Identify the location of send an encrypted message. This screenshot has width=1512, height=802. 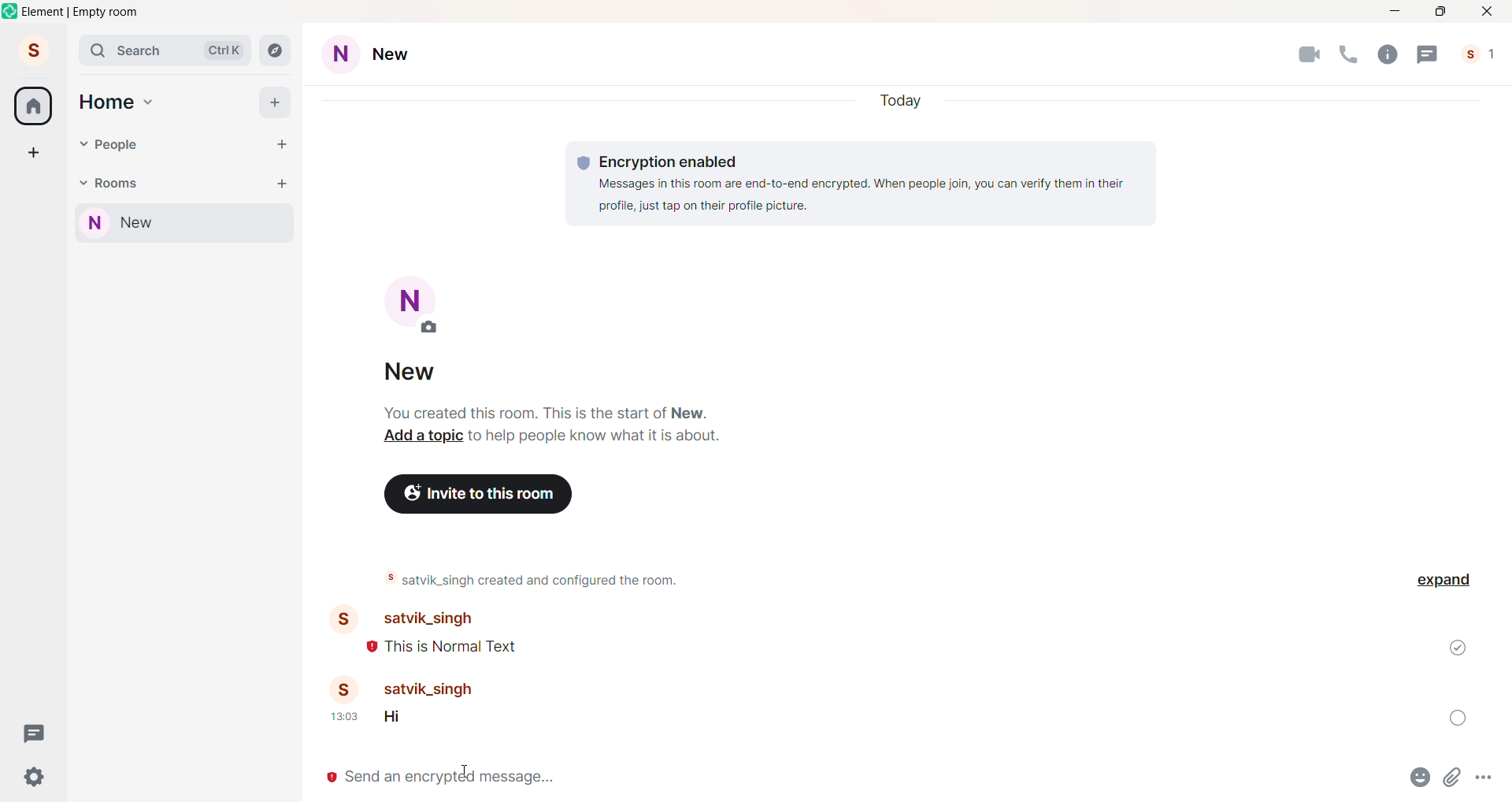
(847, 781).